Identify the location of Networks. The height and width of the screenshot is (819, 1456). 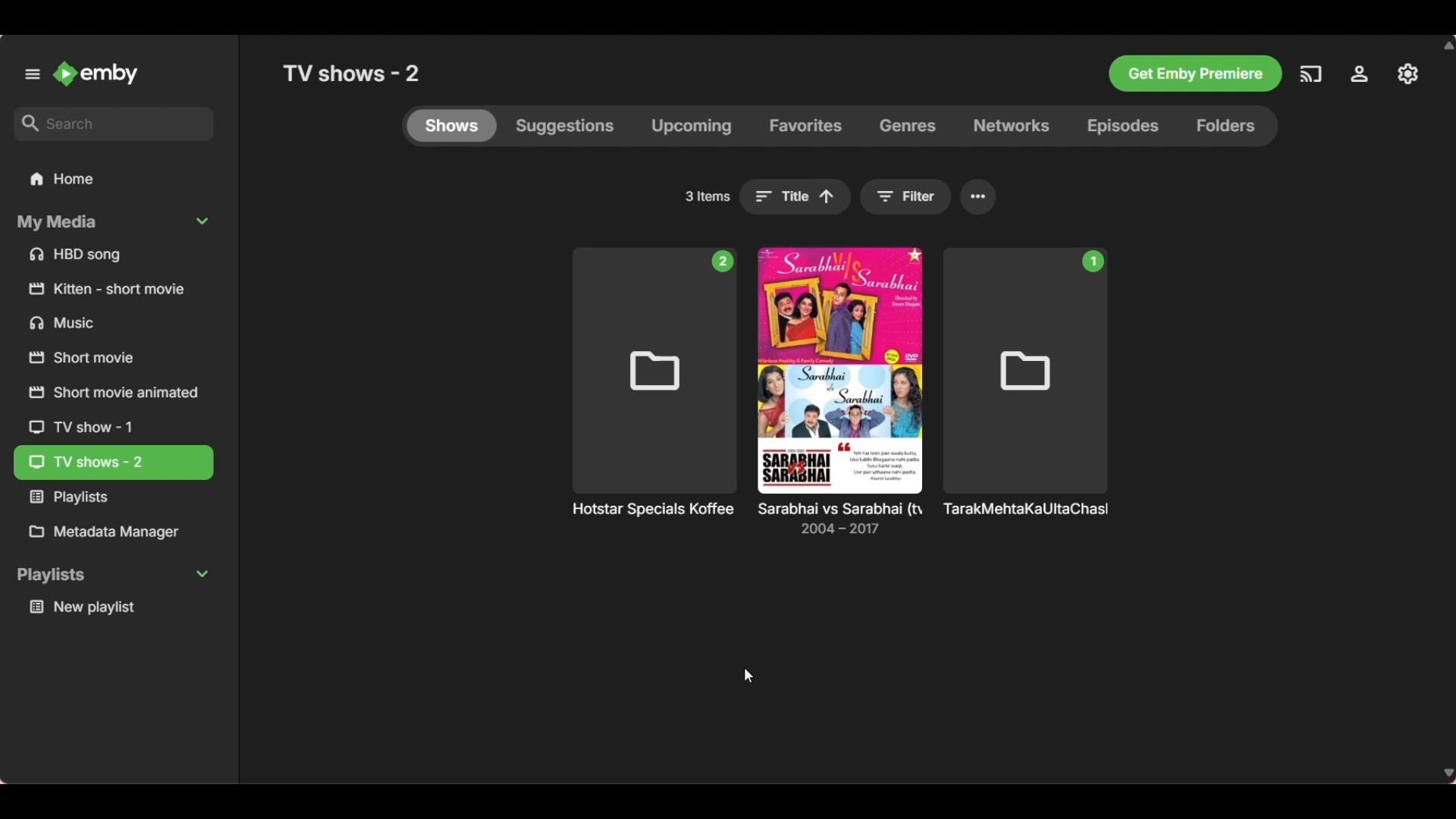
(1010, 126).